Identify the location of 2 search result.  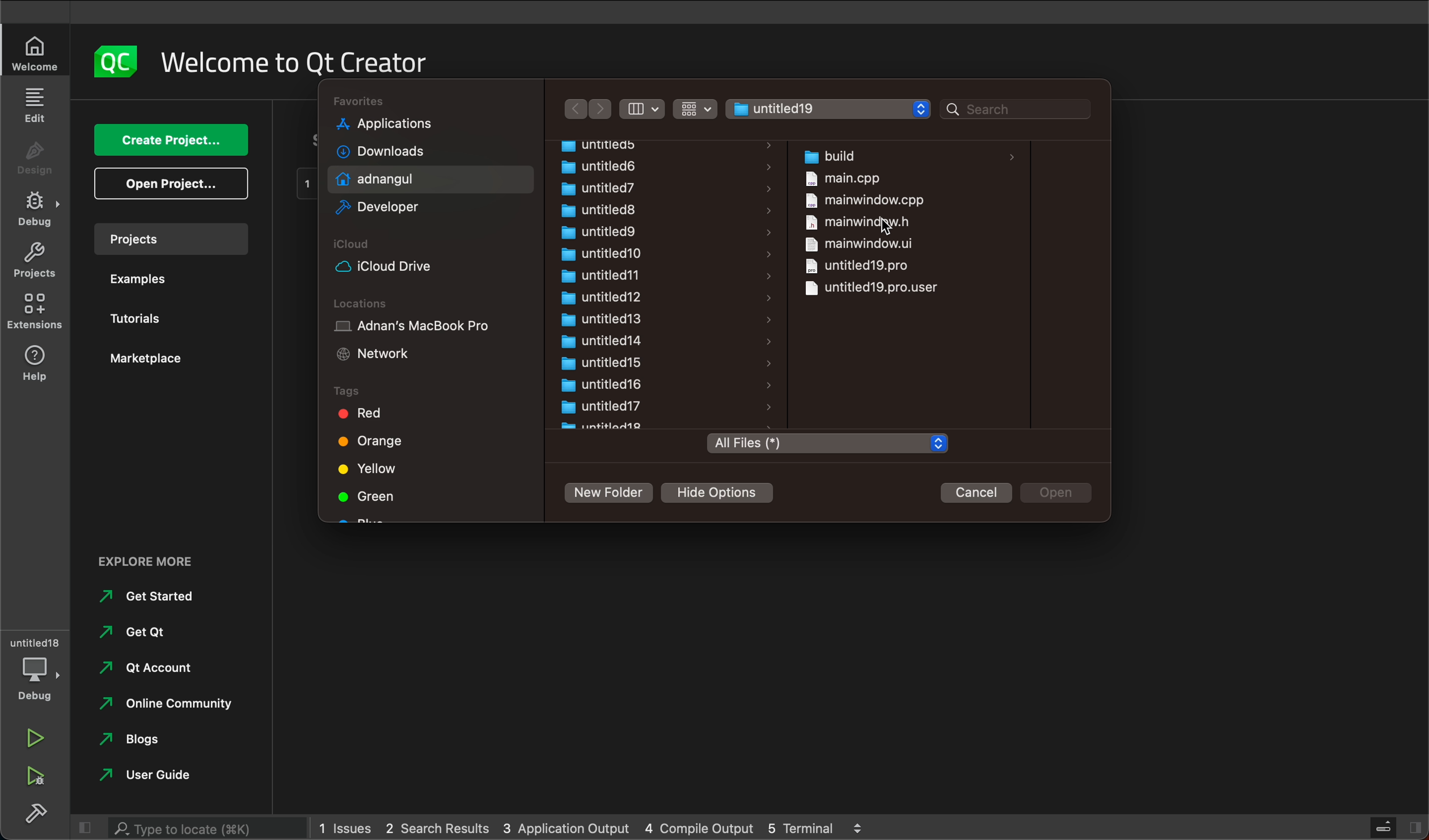
(442, 829).